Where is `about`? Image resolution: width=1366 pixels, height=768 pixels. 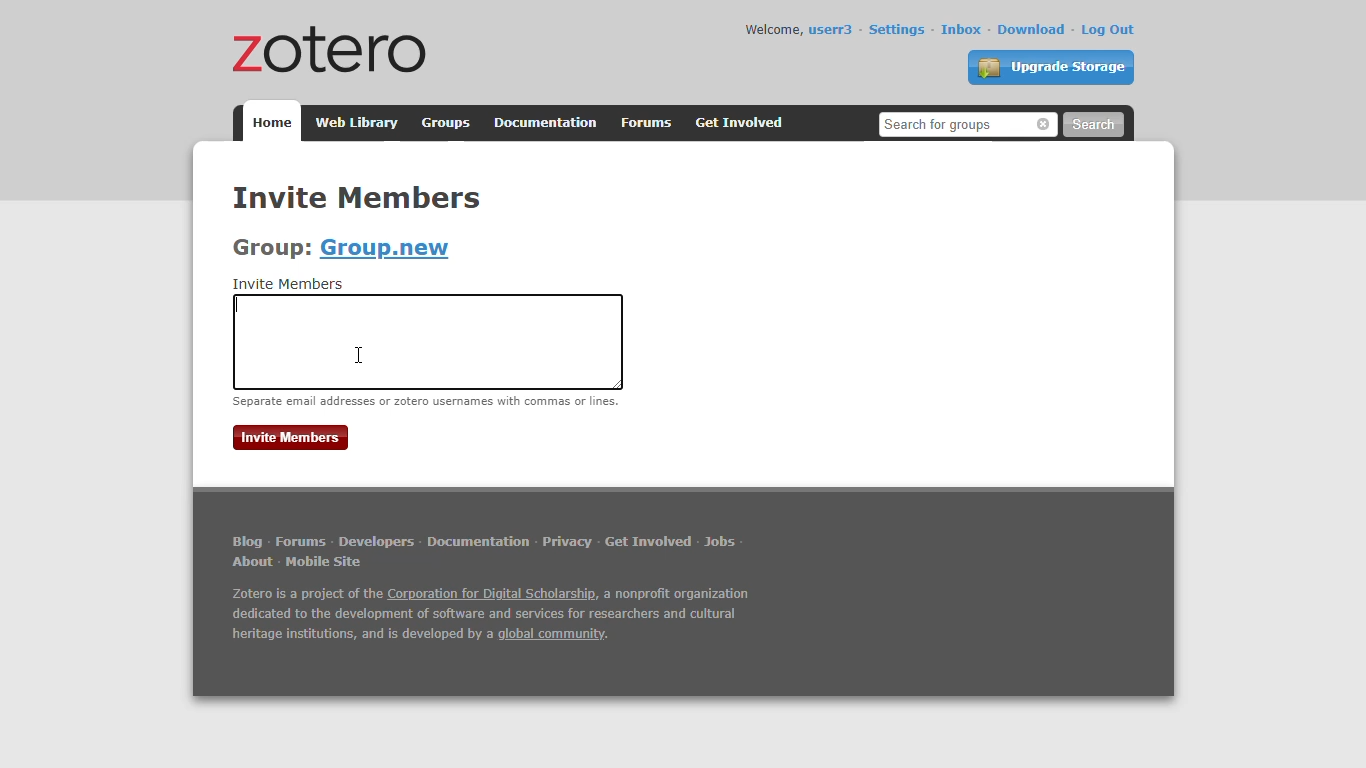
about is located at coordinates (252, 562).